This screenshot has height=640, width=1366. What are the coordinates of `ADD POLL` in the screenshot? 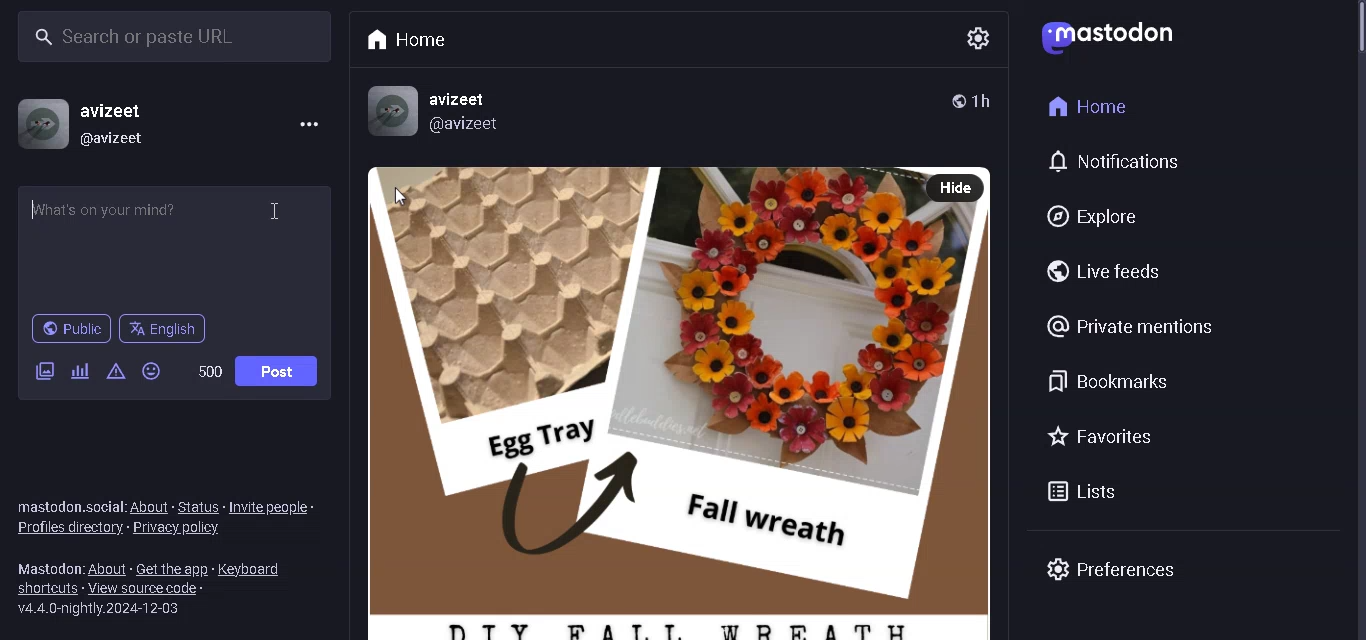 It's located at (79, 372).